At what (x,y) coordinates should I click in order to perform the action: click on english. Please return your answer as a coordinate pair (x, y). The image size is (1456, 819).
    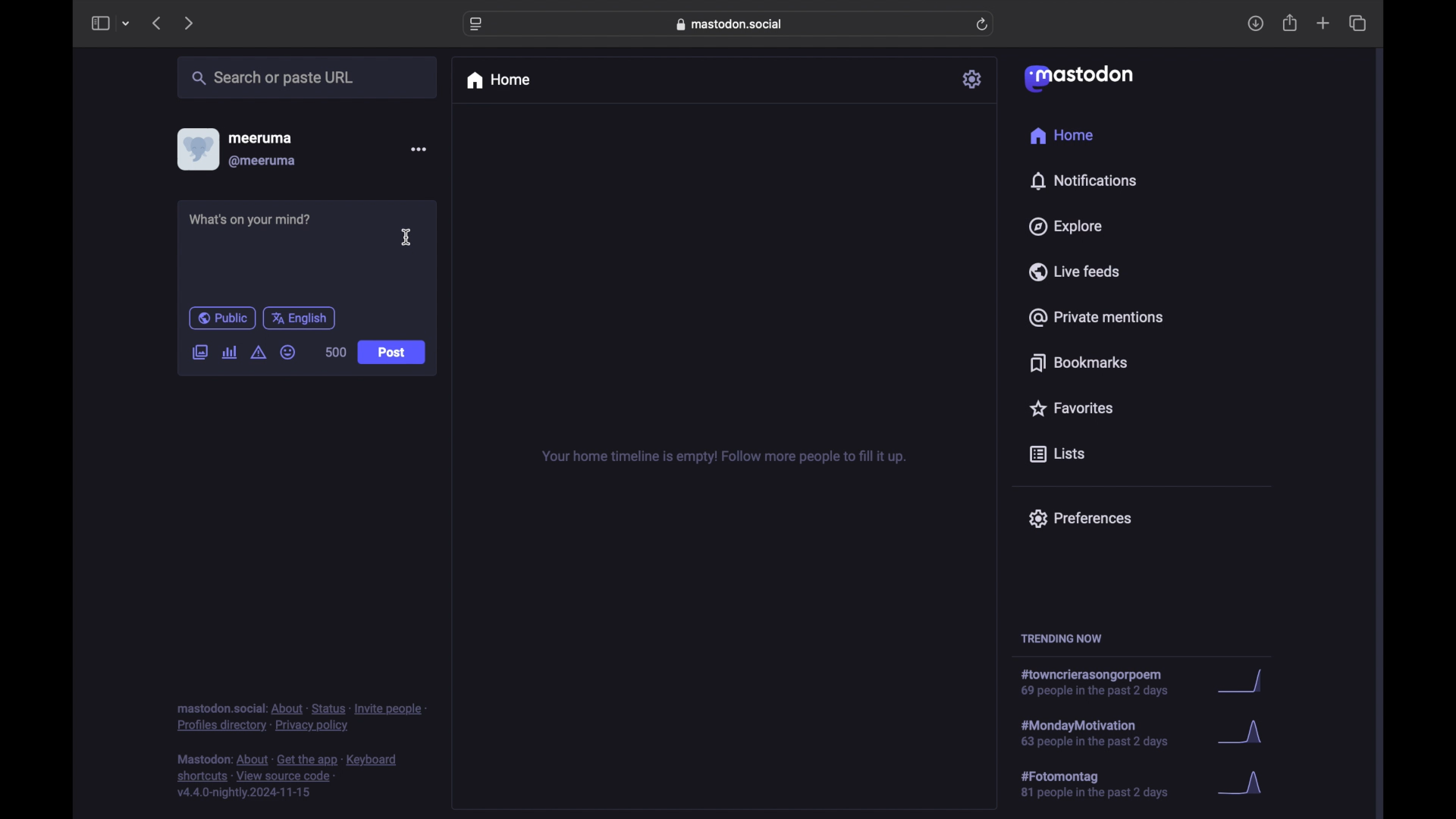
    Looking at the image, I should click on (300, 318).